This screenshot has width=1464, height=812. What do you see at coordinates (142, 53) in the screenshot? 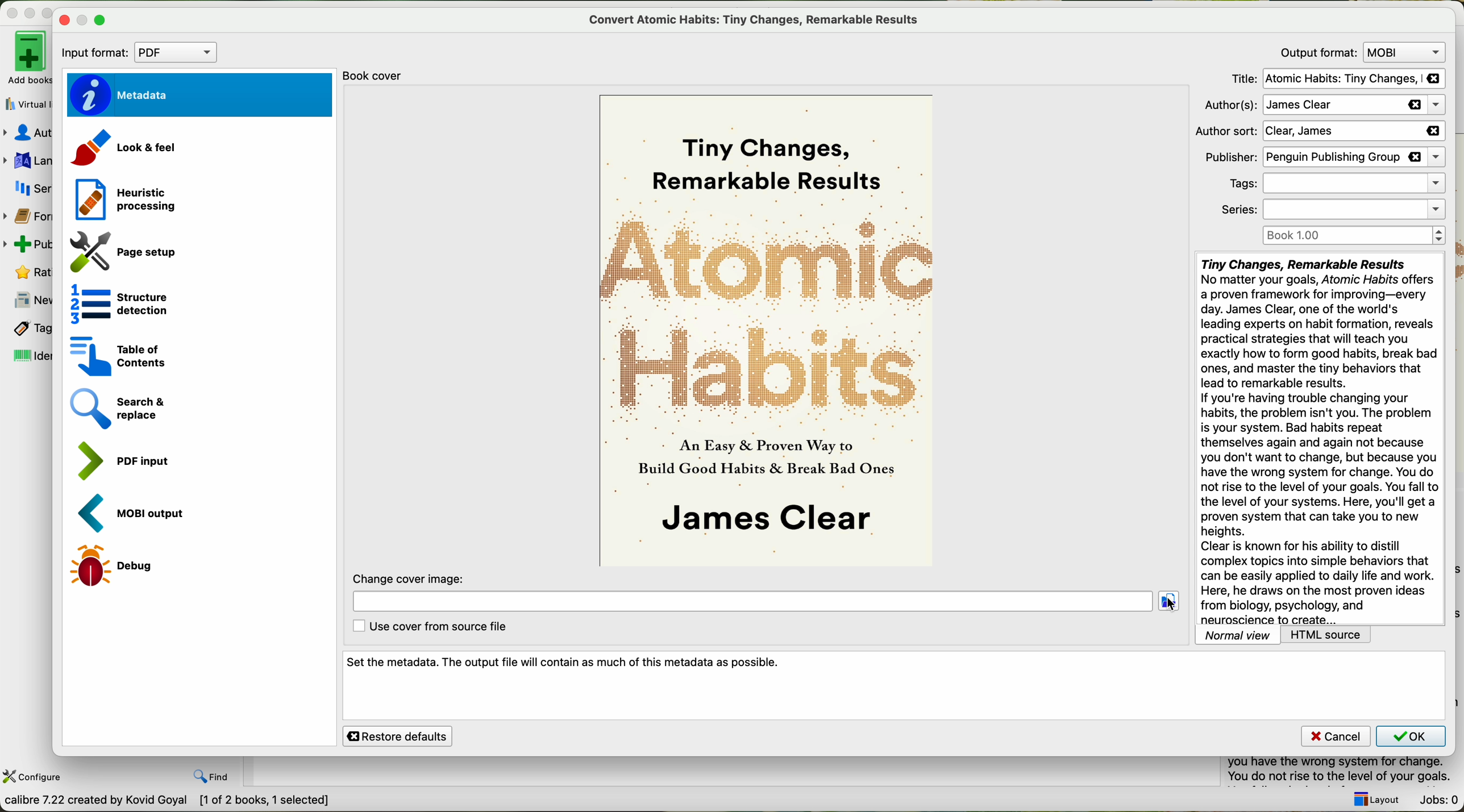
I see `input format: PDF` at bounding box center [142, 53].